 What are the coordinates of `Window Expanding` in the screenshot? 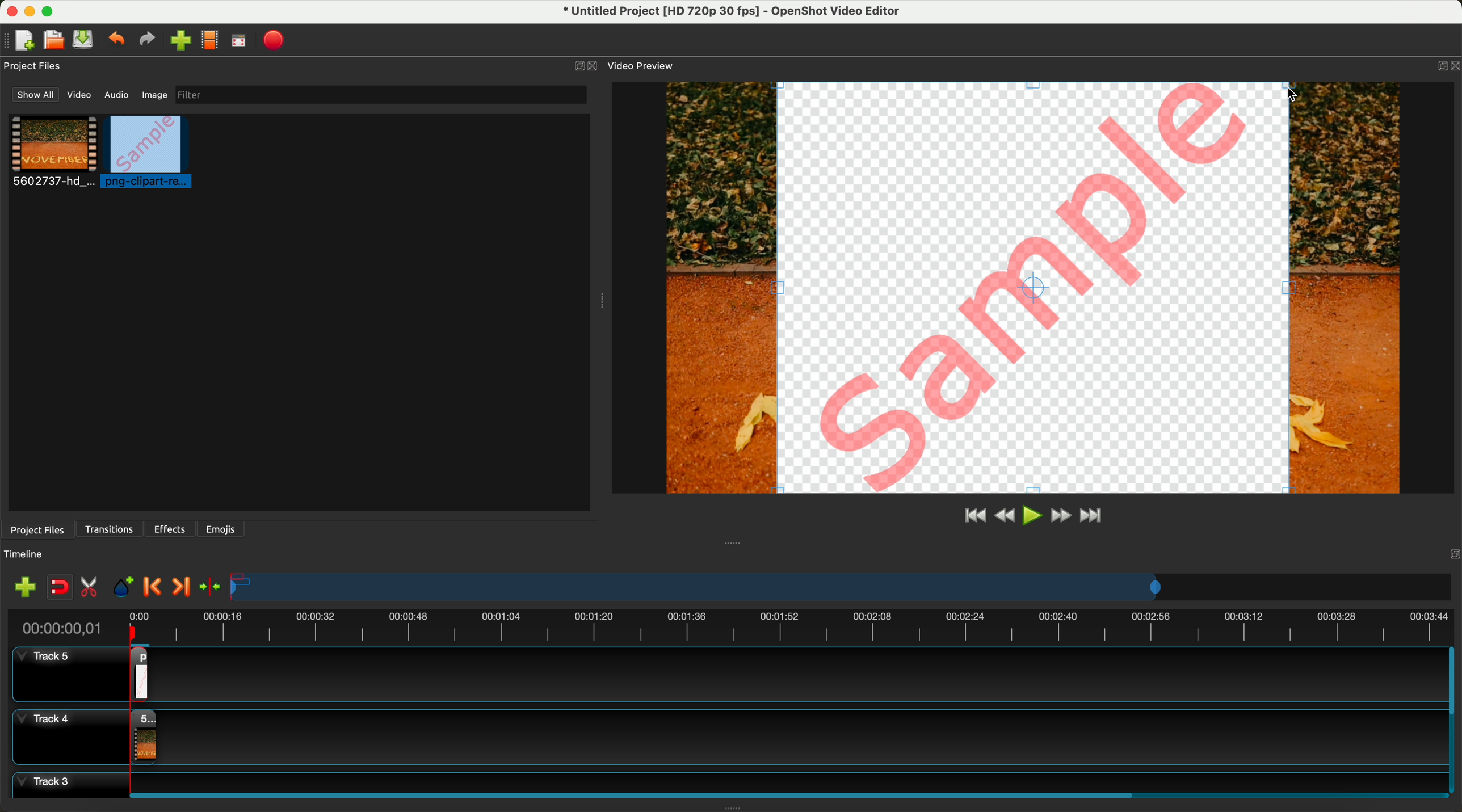 It's located at (733, 542).